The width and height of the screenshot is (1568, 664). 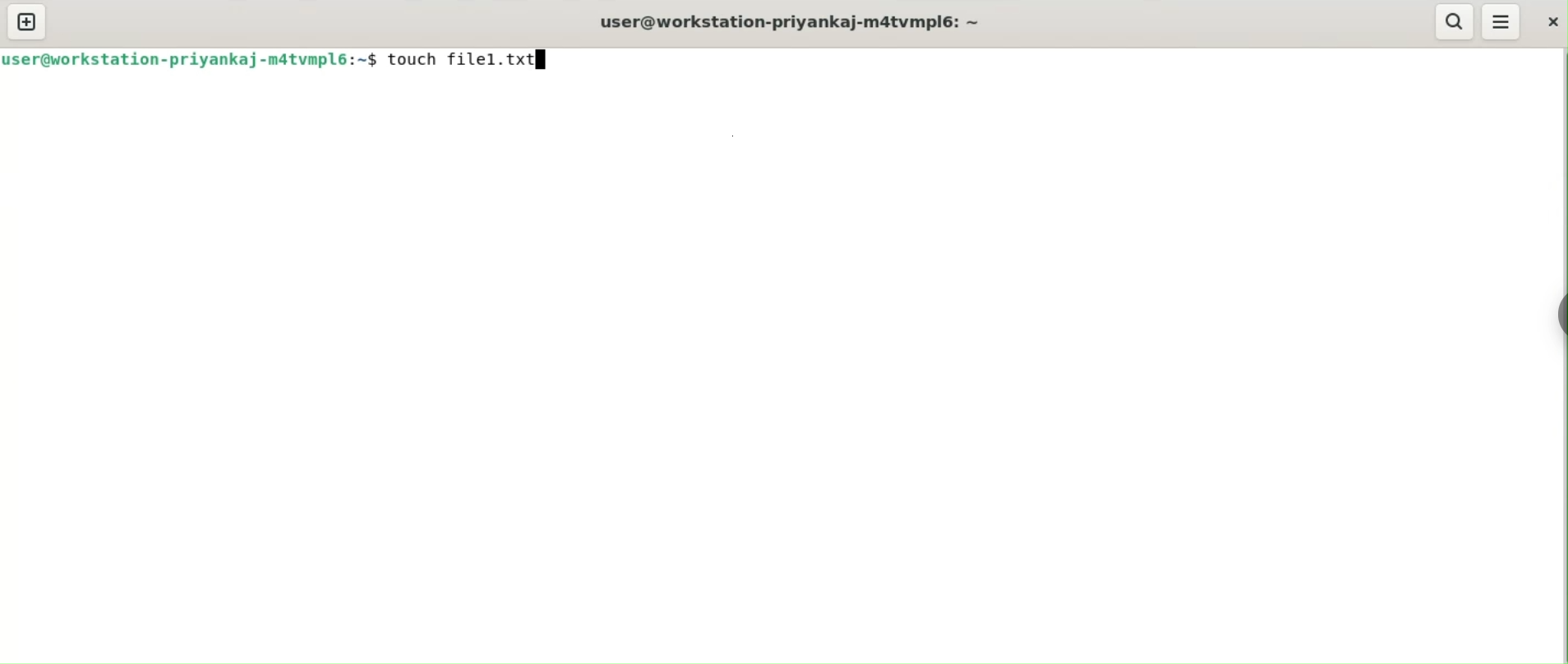 I want to click on ser@workstation-priyankaj-matvmpl6:~$ | |, so click(x=191, y=60).